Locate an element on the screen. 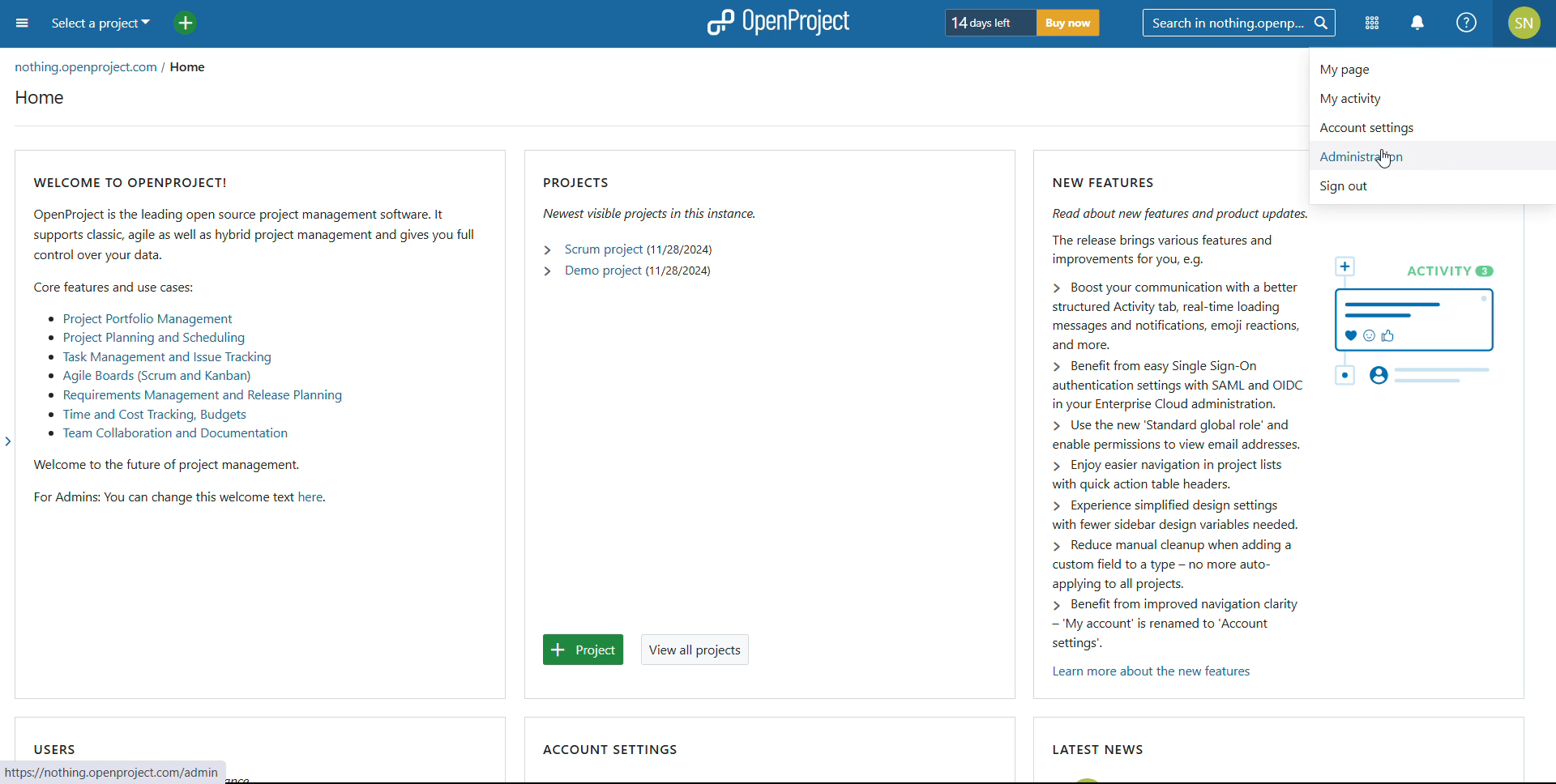 Image resolution: width=1556 pixels, height=784 pixels. select a project is located at coordinates (100, 23).